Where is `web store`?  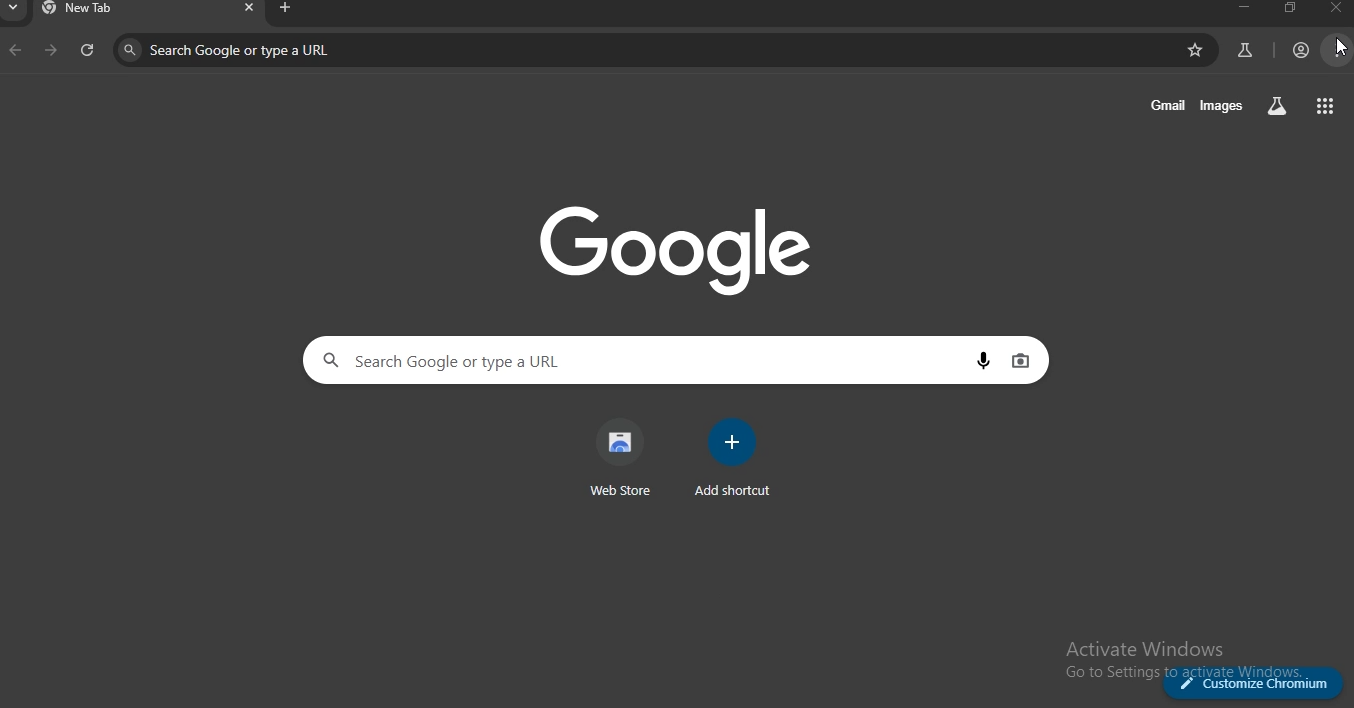 web store is located at coordinates (618, 462).